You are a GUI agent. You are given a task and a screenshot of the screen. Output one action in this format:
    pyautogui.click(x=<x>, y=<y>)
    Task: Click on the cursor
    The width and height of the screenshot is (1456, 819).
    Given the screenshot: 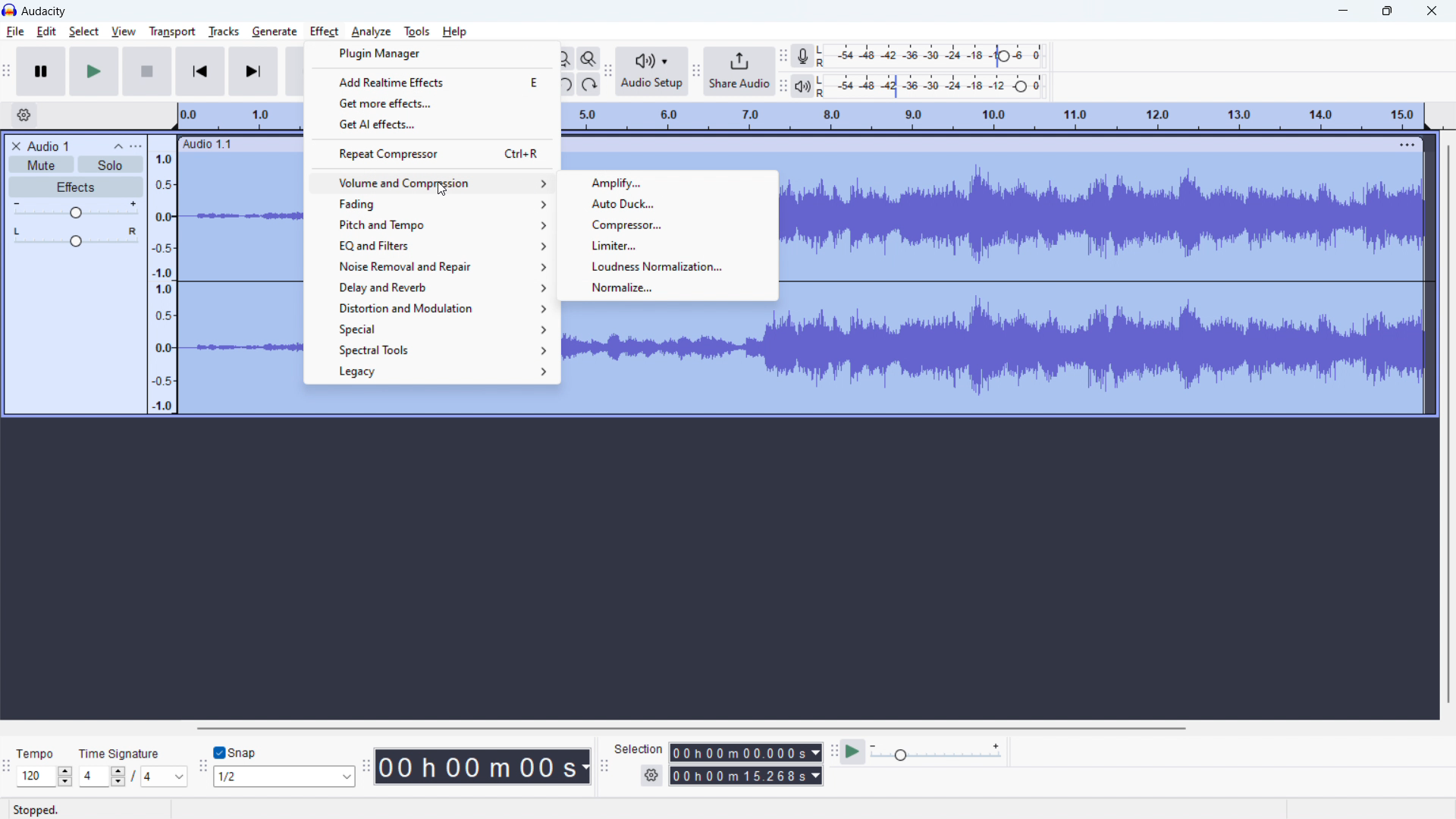 What is the action you would take?
    pyautogui.click(x=442, y=190)
    